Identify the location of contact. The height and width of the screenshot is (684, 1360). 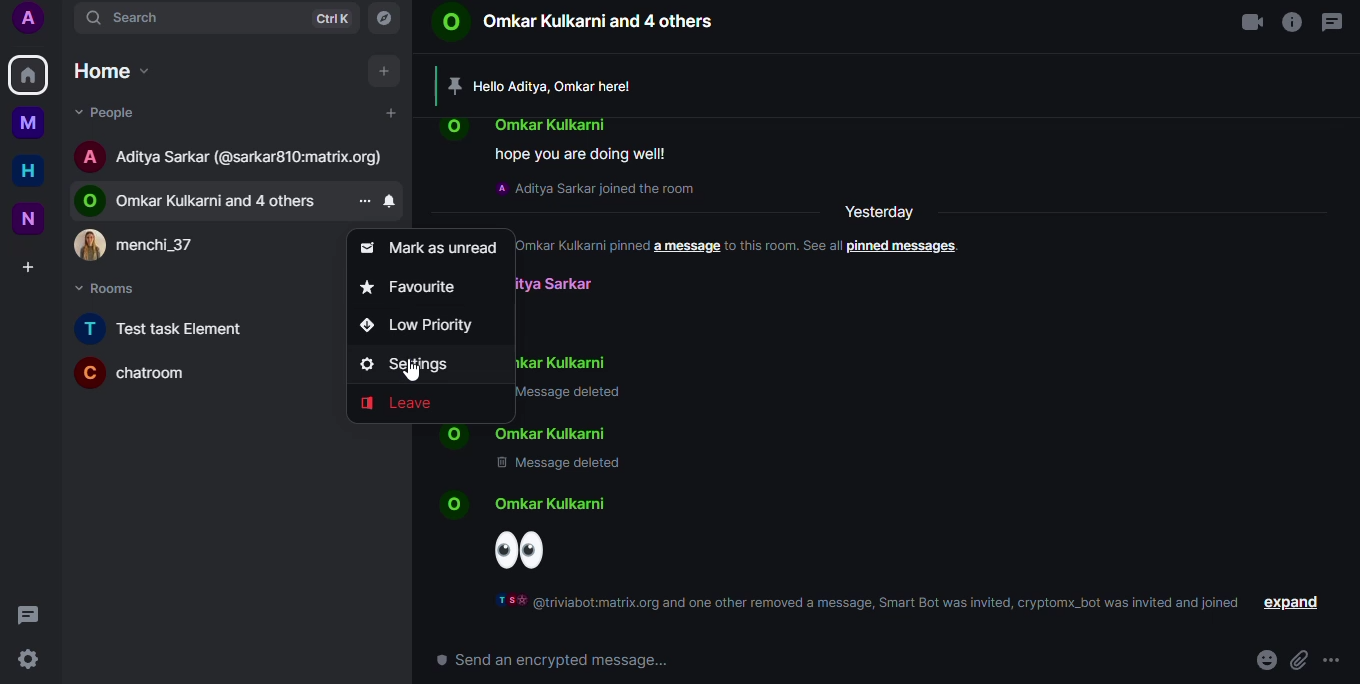
(568, 364).